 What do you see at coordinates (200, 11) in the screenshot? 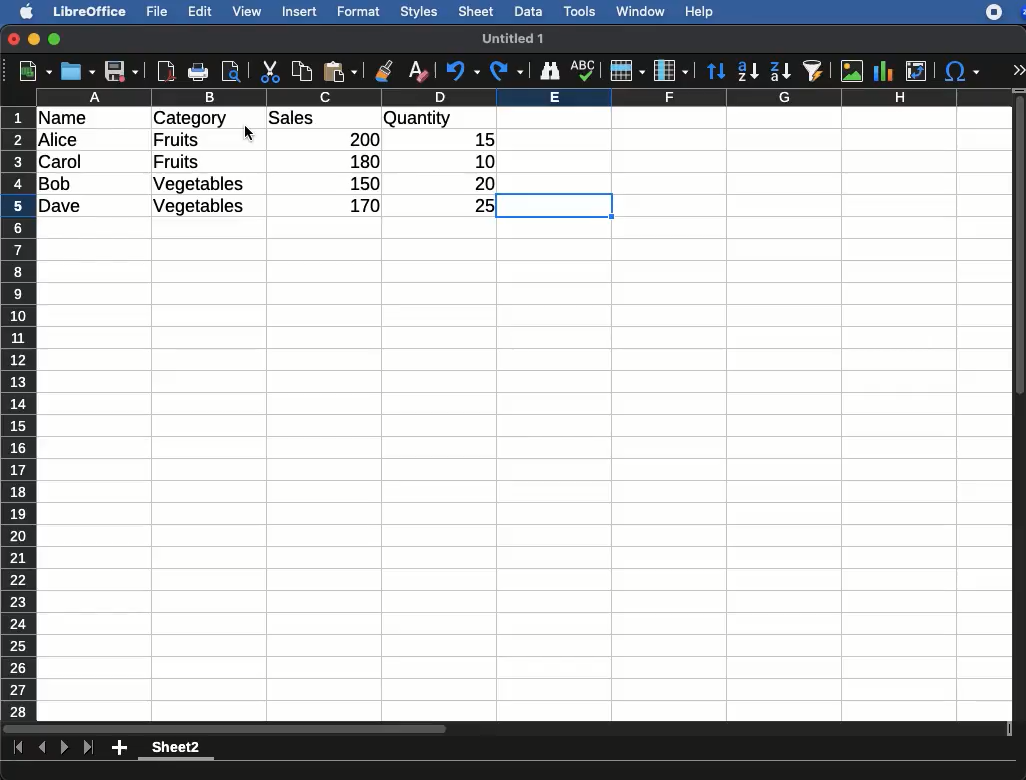
I see `edit` at bounding box center [200, 11].